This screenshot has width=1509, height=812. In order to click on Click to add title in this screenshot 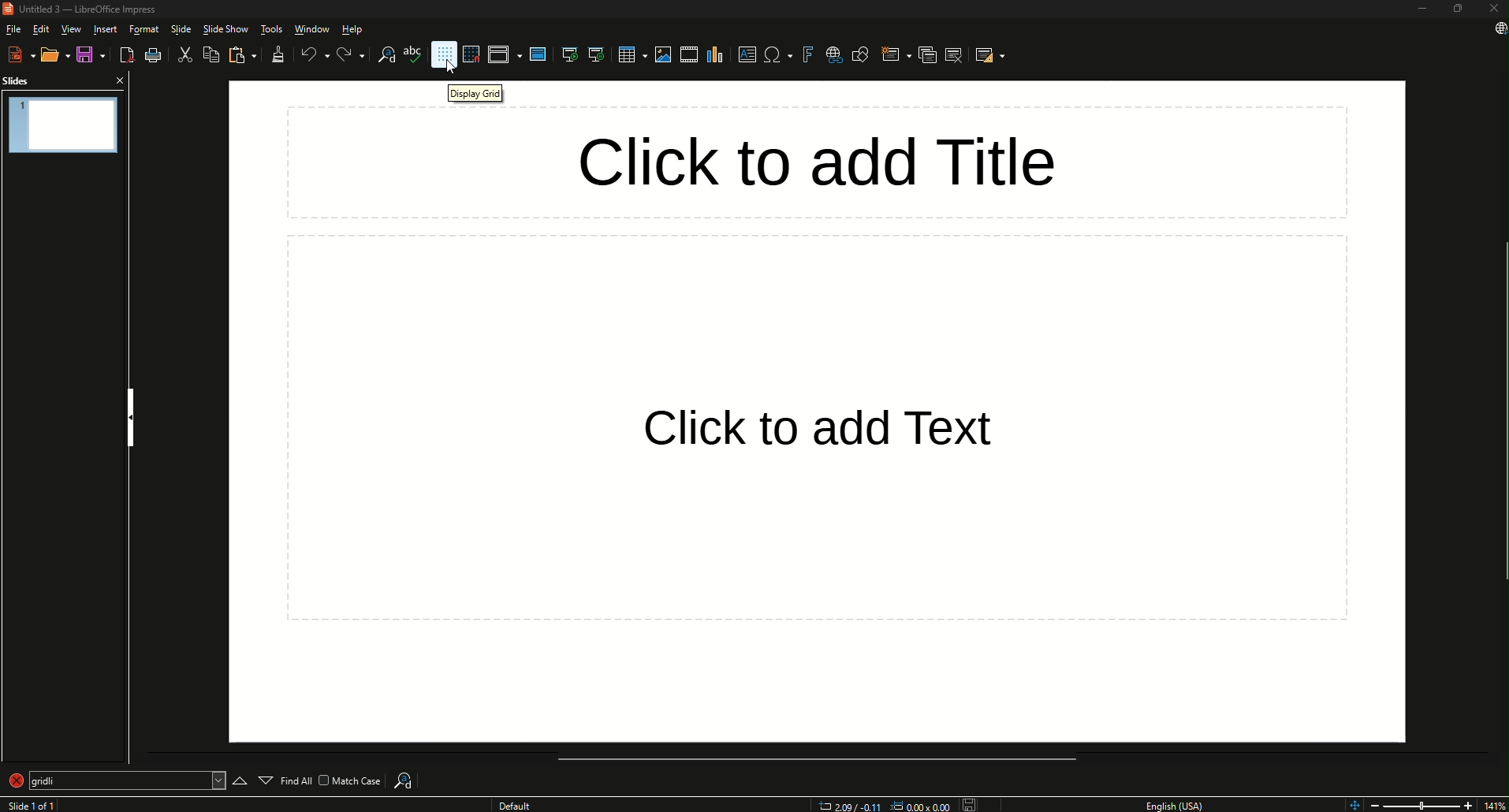, I will do `click(819, 158)`.